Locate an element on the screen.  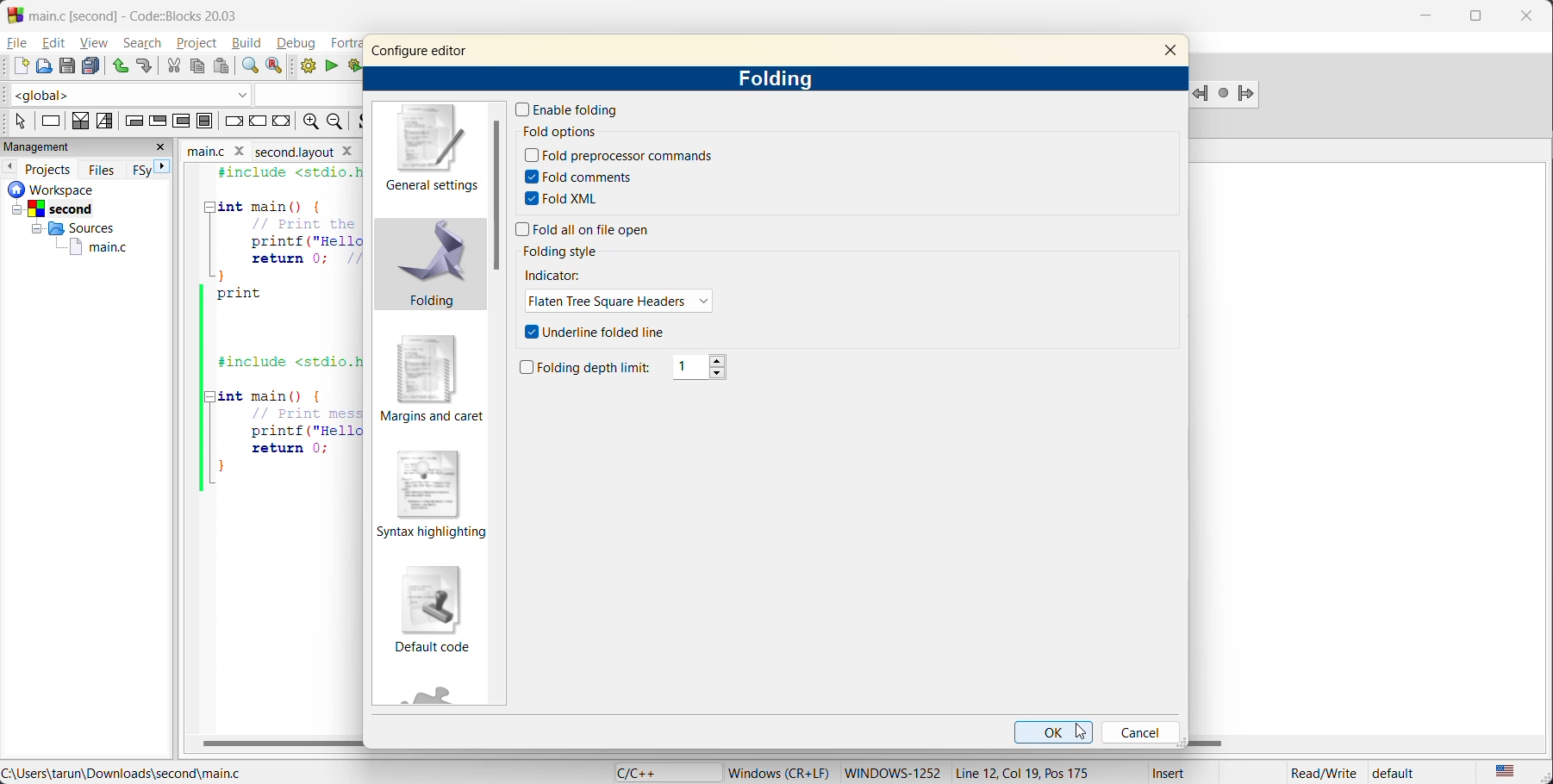
FSy is located at coordinates (140, 173).